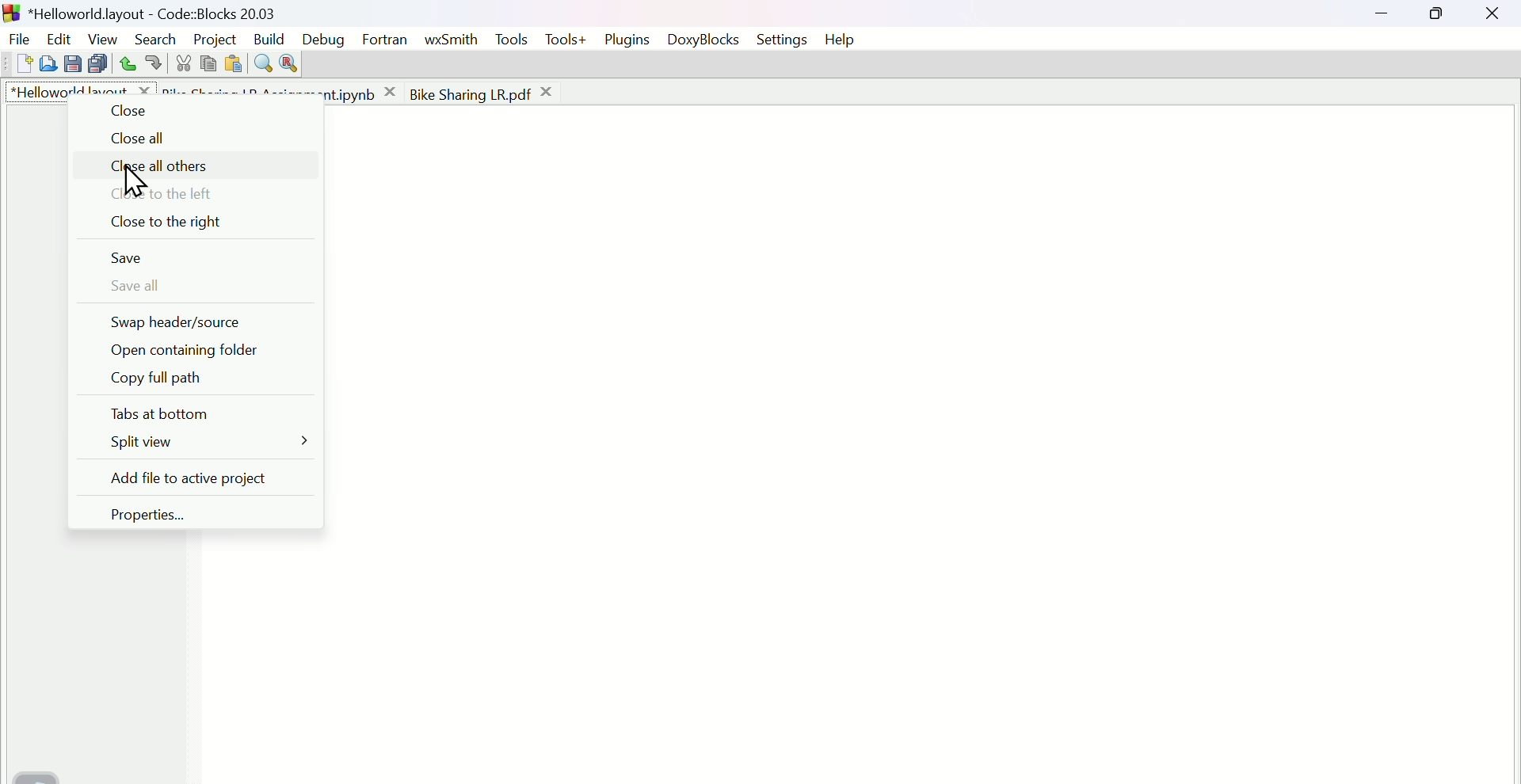 This screenshot has width=1521, height=784. I want to click on Find, so click(261, 63).